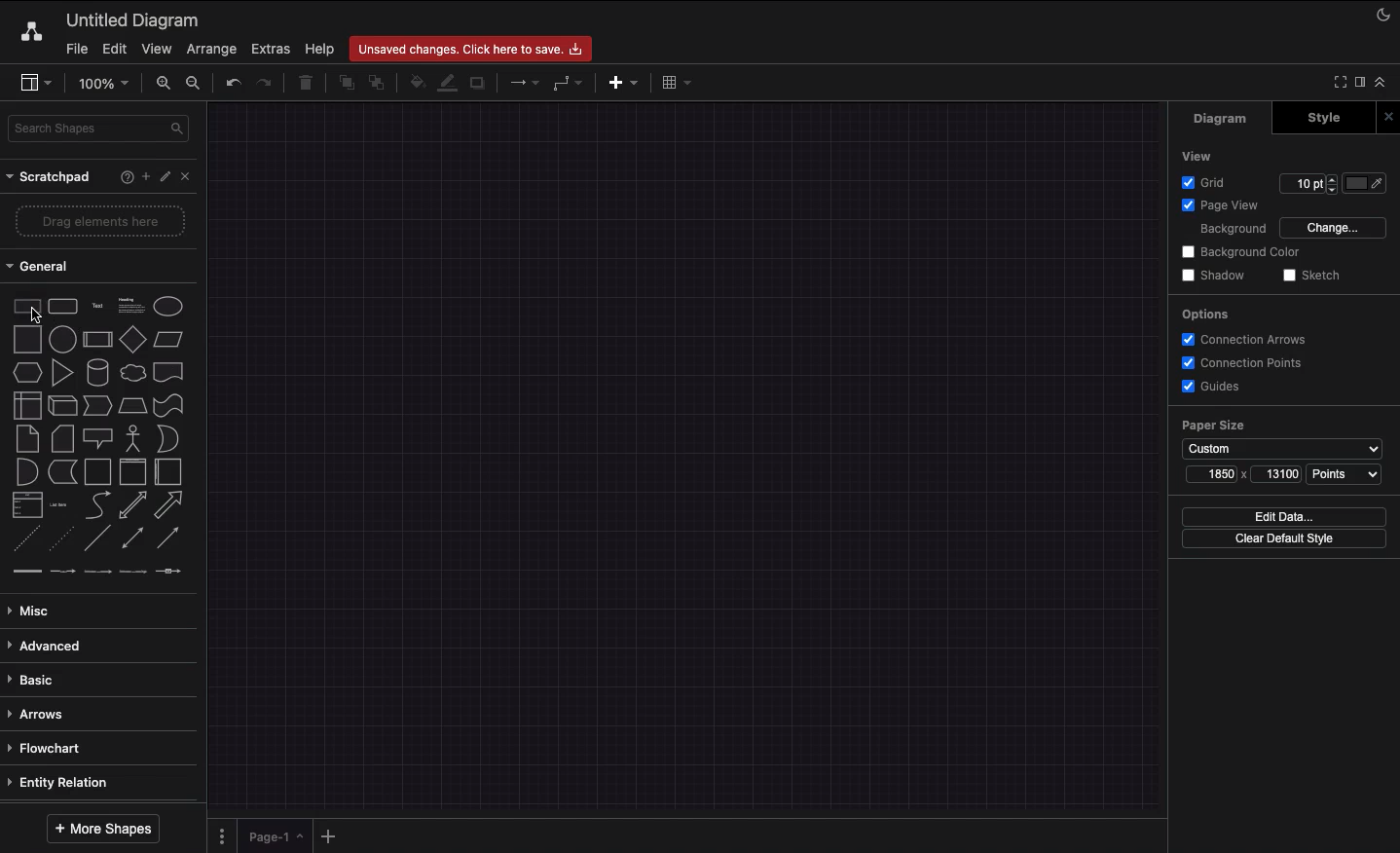 This screenshot has height=853, width=1400. Describe the element at coordinates (28, 35) in the screenshot. I see `Draw.io` at that location.